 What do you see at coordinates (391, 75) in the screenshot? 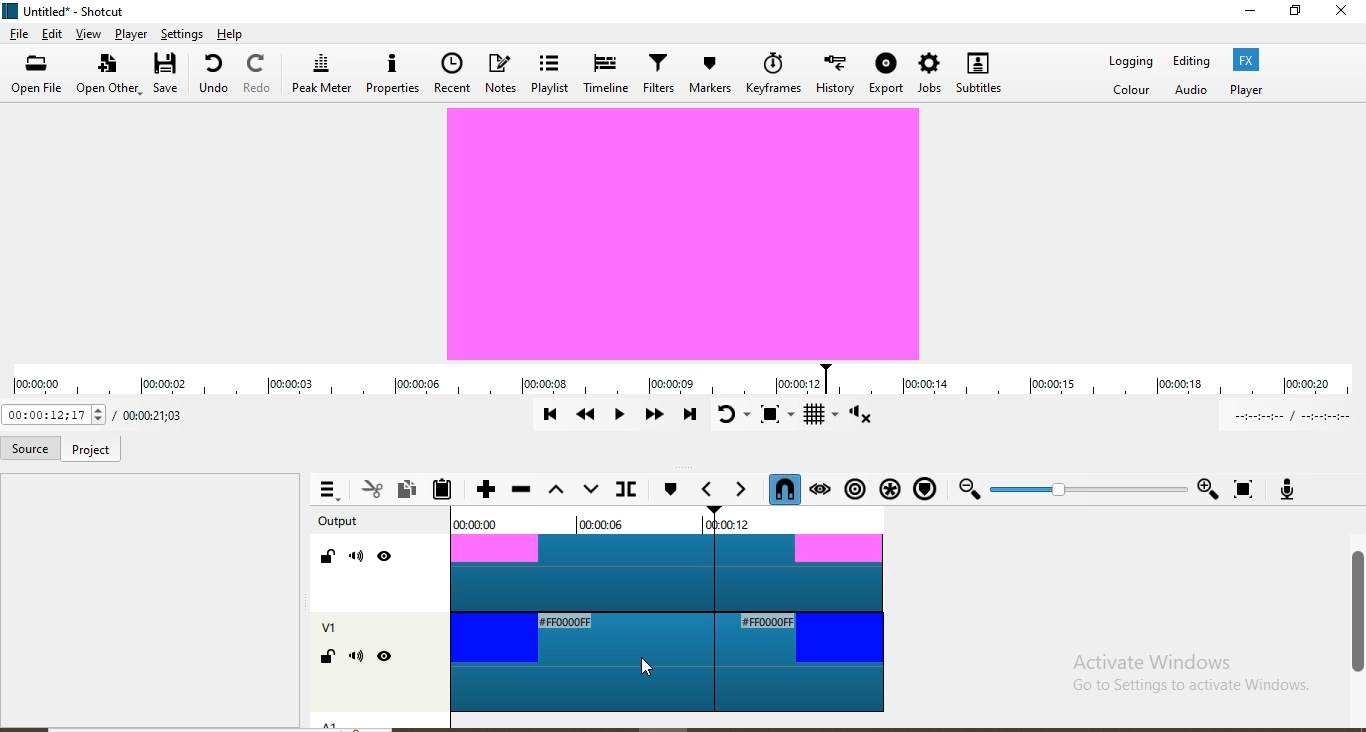
I see `Properties` at bounding box center [391, 75].